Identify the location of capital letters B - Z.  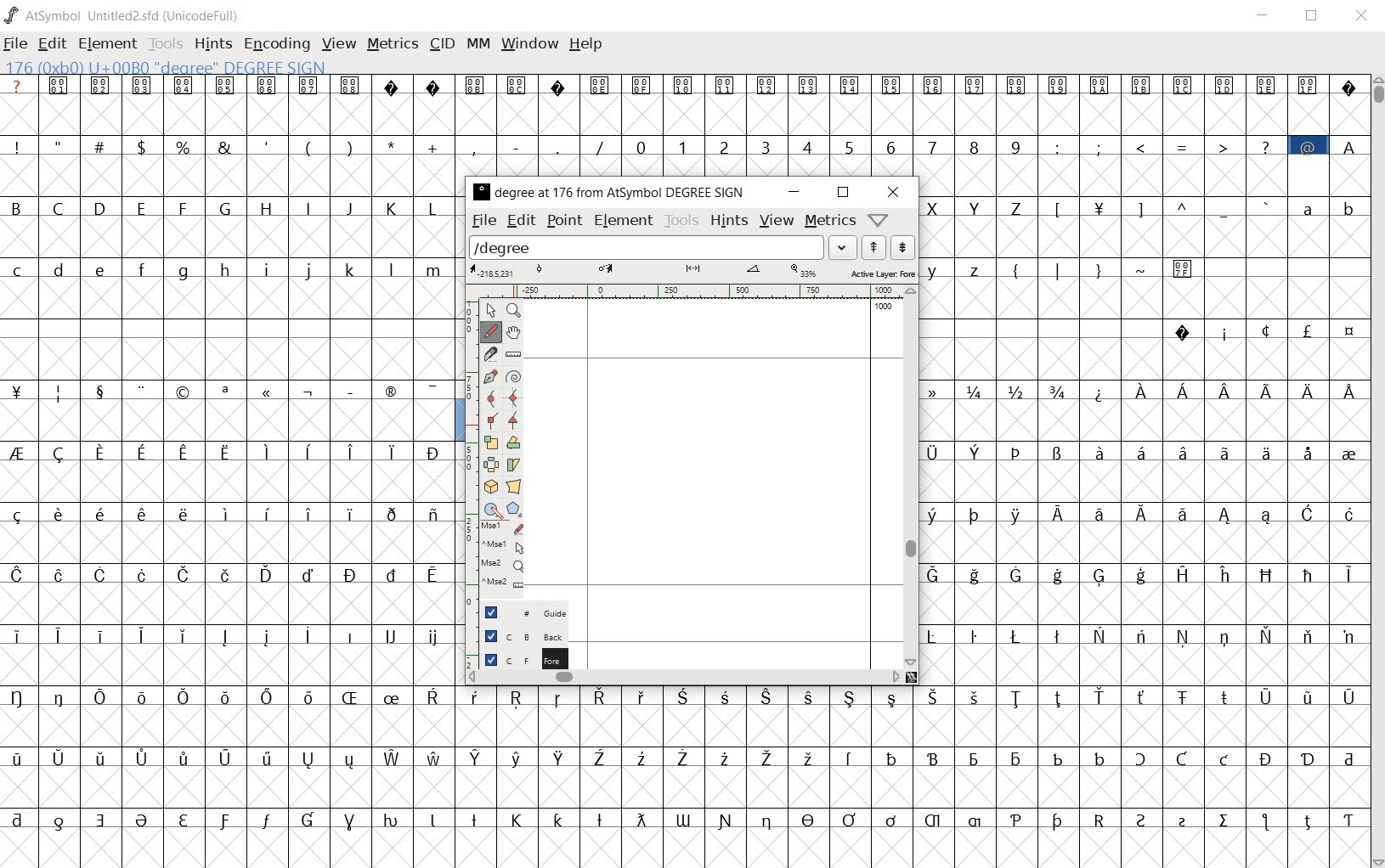
(230, 206).